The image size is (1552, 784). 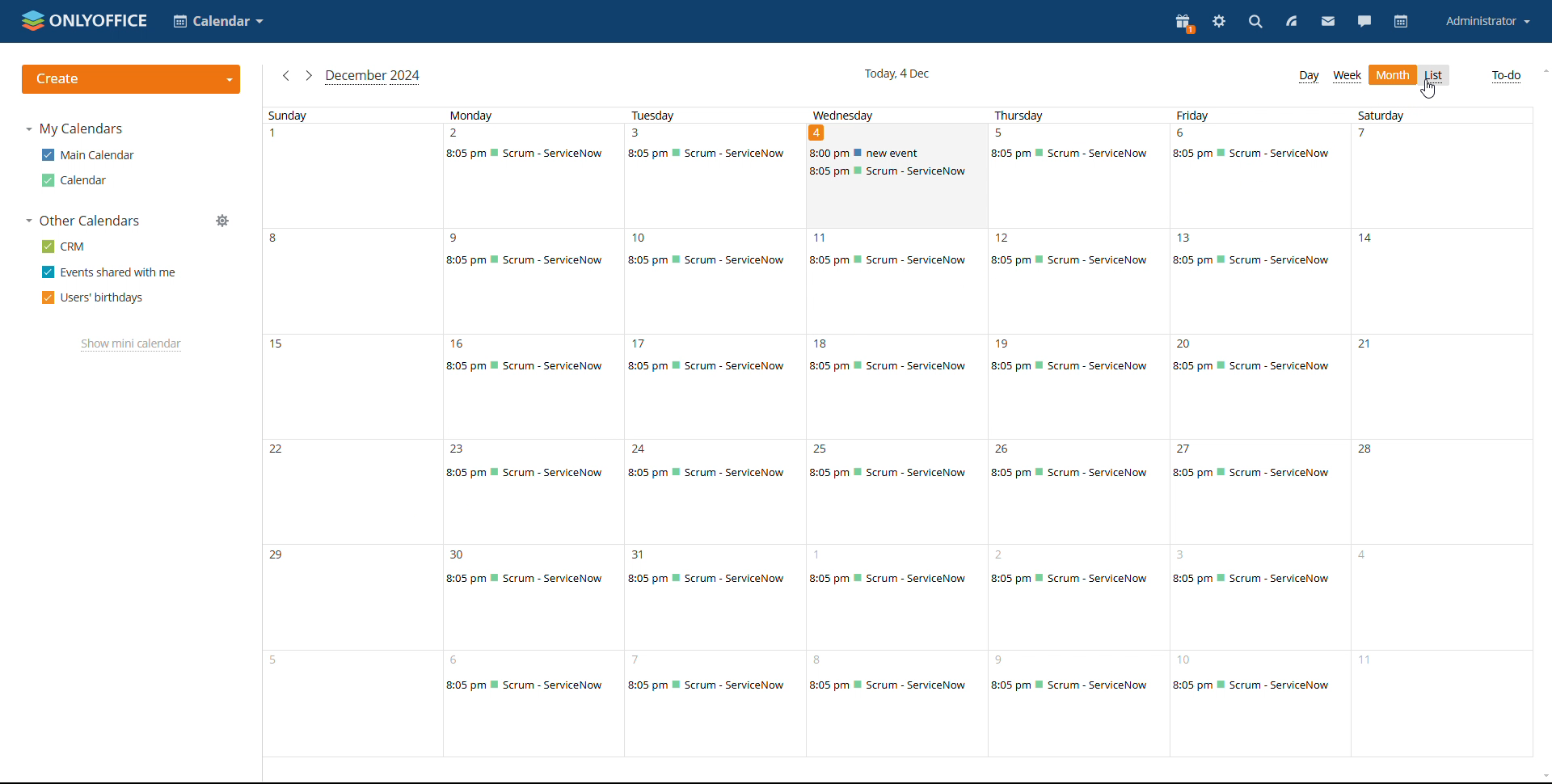 What do you see at coordinates (63, 247) in the screenshot?
I see `crm` at bounding box center [63, 247].